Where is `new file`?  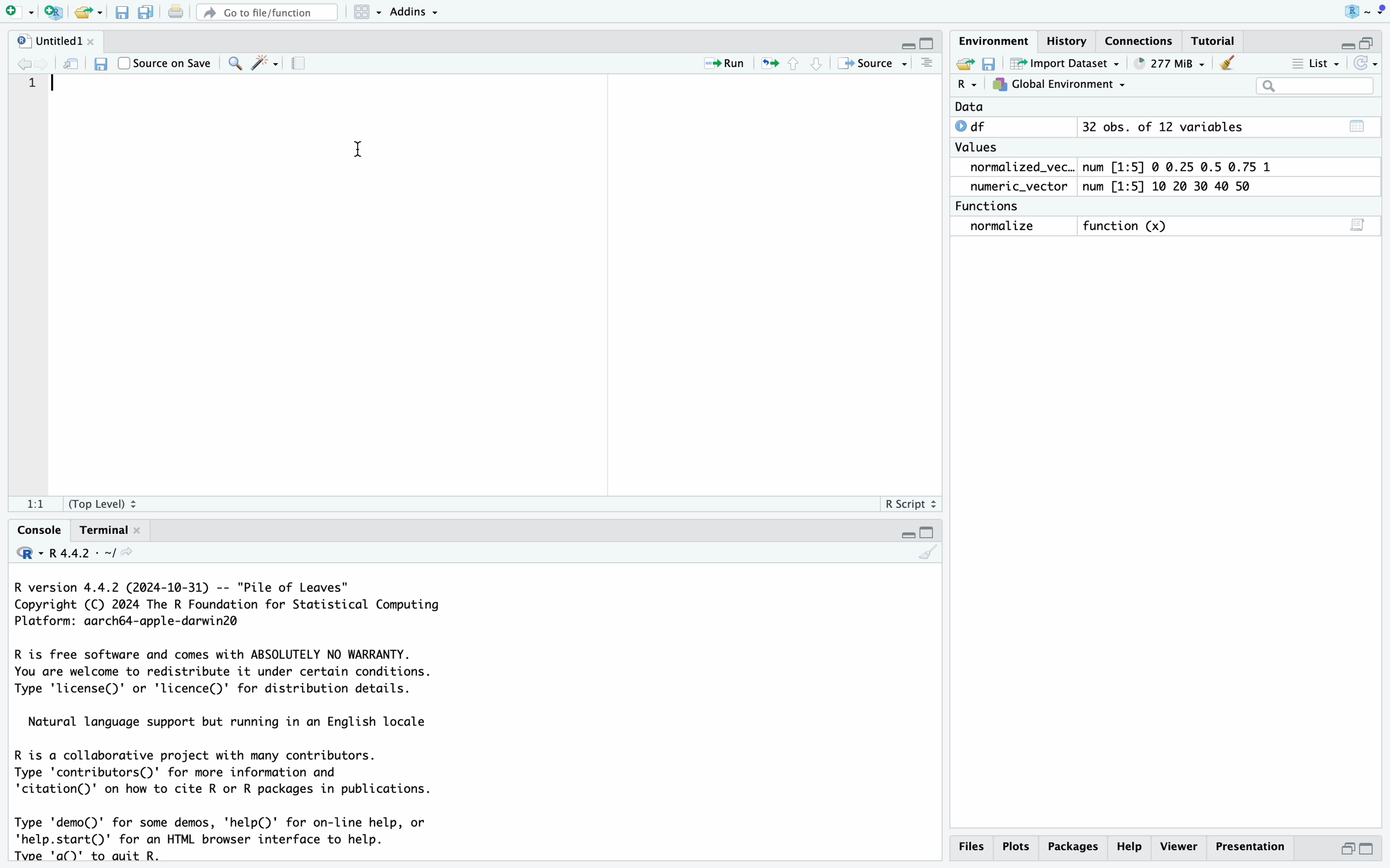 new file is located at coordinates (17, 12).